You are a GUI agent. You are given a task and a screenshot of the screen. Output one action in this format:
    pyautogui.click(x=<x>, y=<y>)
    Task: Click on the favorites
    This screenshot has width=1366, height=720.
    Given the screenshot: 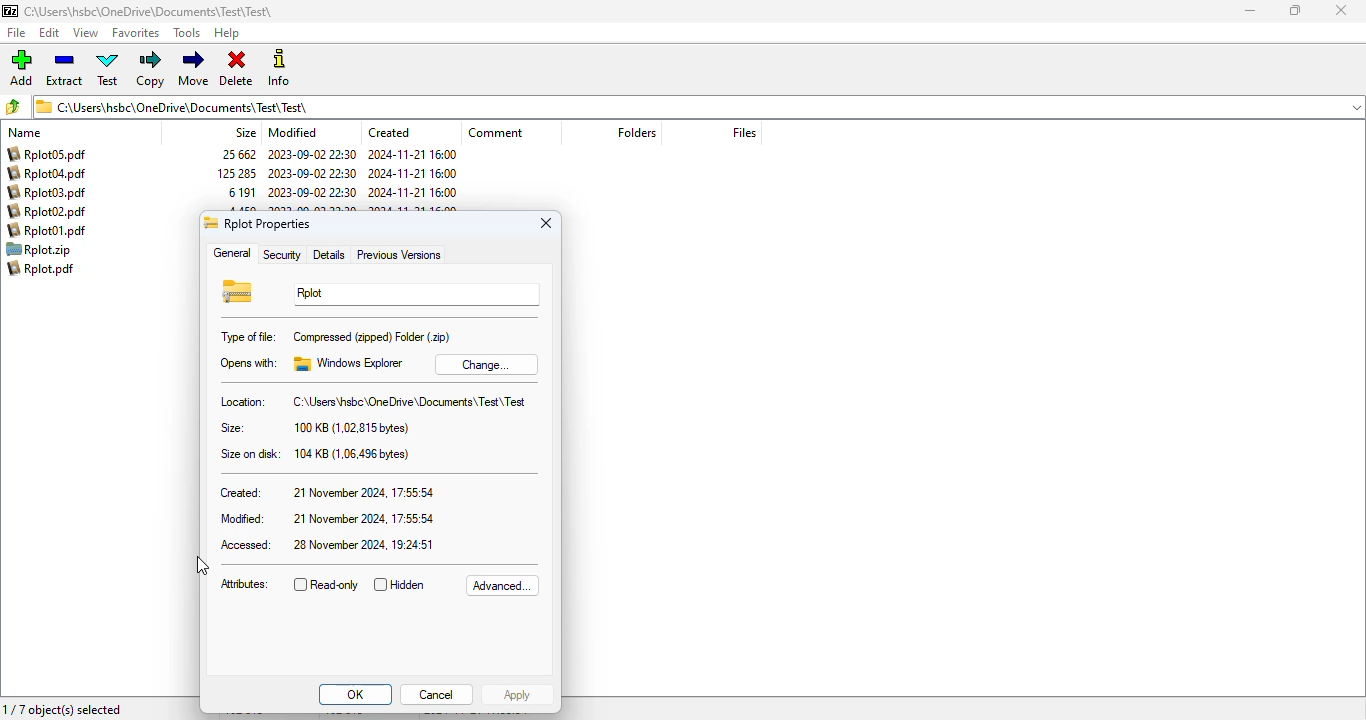 What is the action you would take?
    pyautogui.click(x=135, y=33)
    